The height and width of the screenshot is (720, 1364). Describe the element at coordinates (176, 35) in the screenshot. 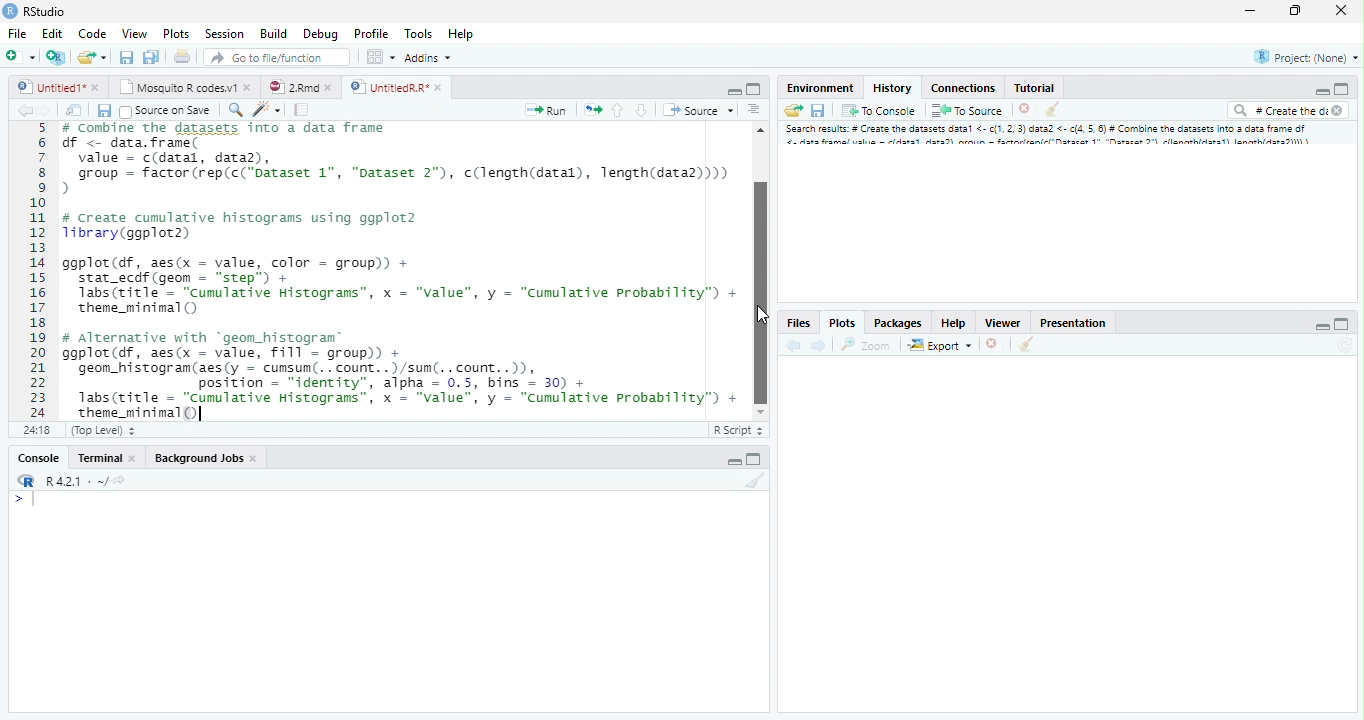

I see `Plots` at that location.